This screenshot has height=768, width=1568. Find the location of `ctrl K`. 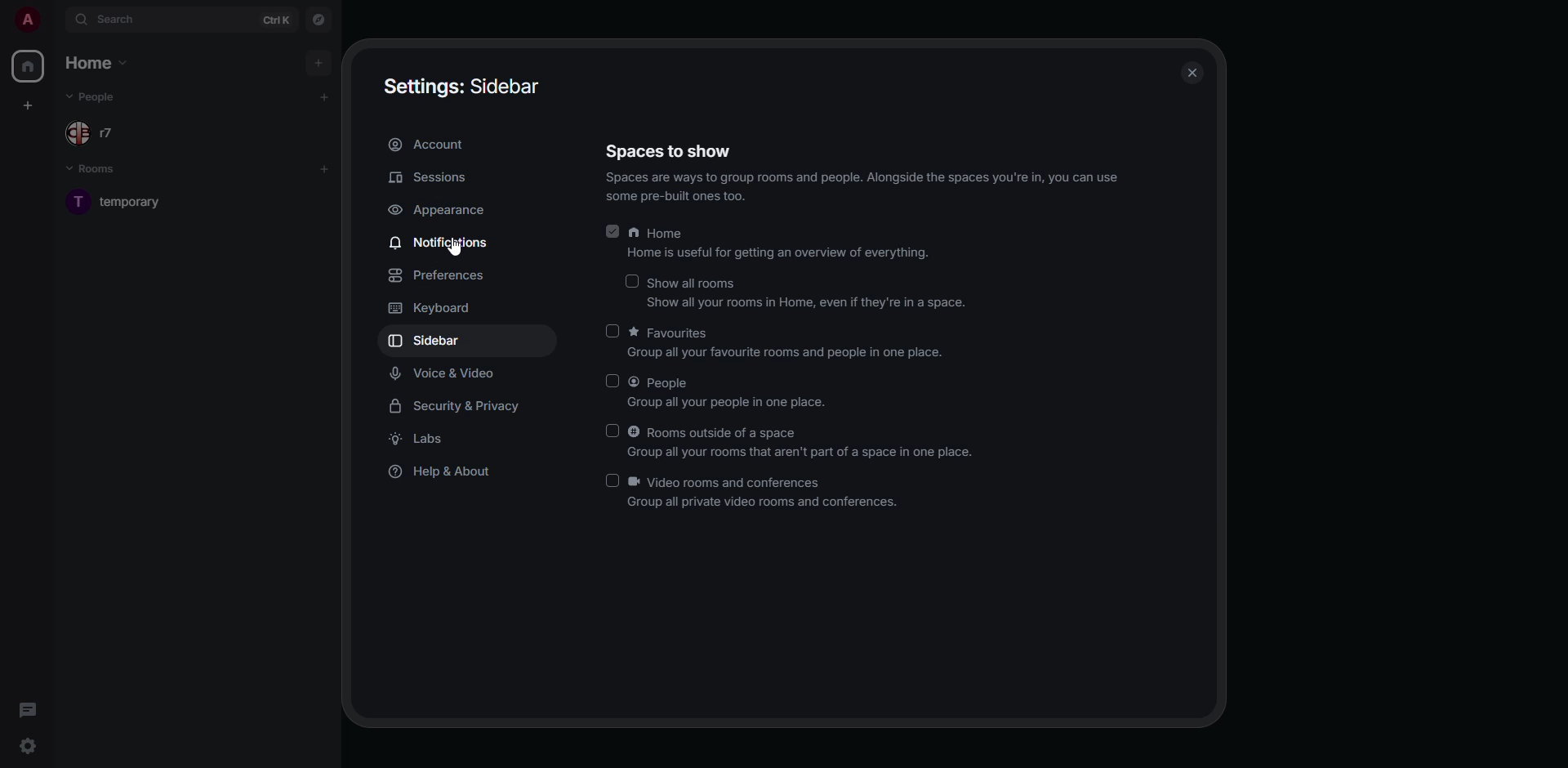

ctrl K is located at coordinates (275, 19).